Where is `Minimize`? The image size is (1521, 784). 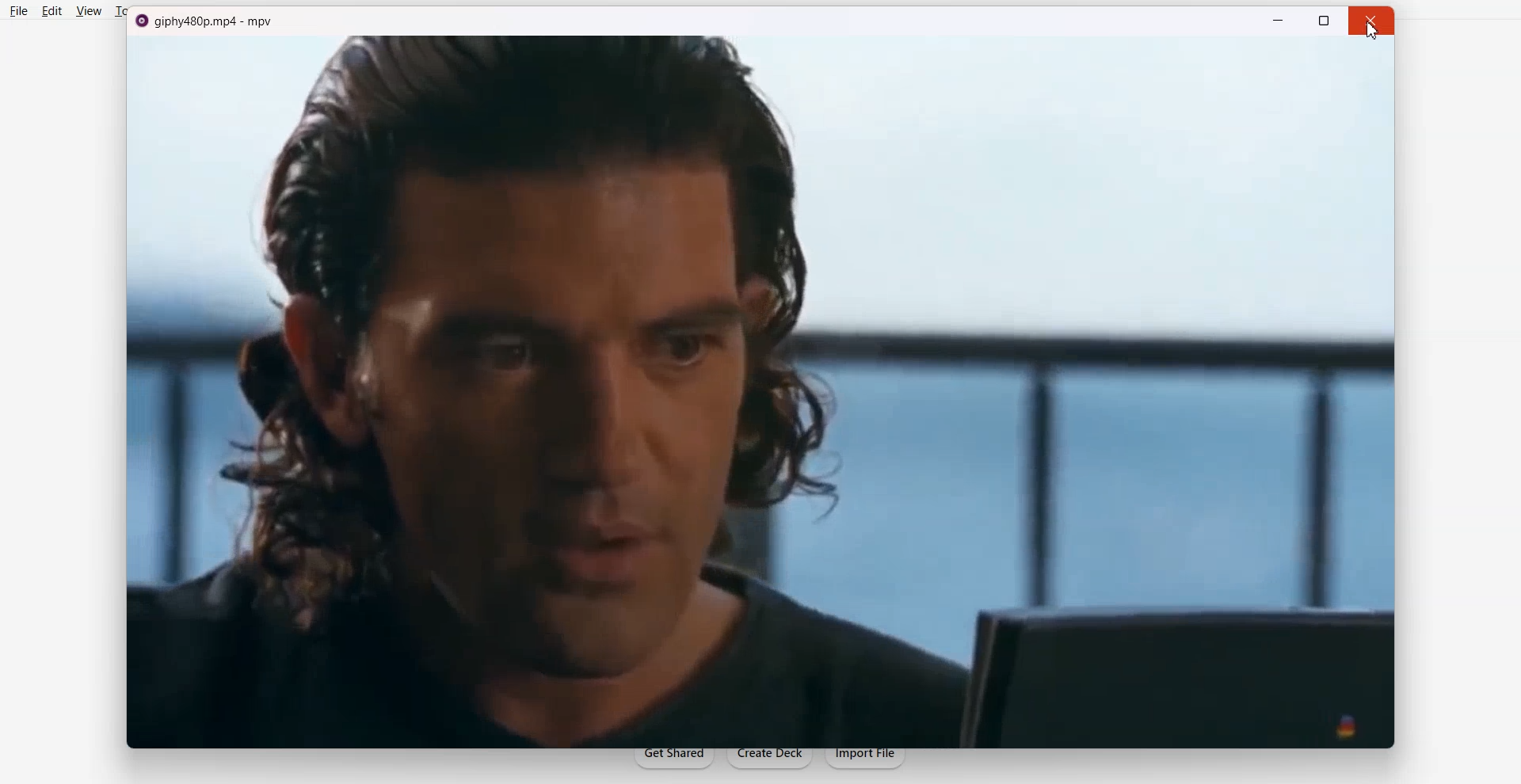 Minimize is located at coordinates (1276, 20).